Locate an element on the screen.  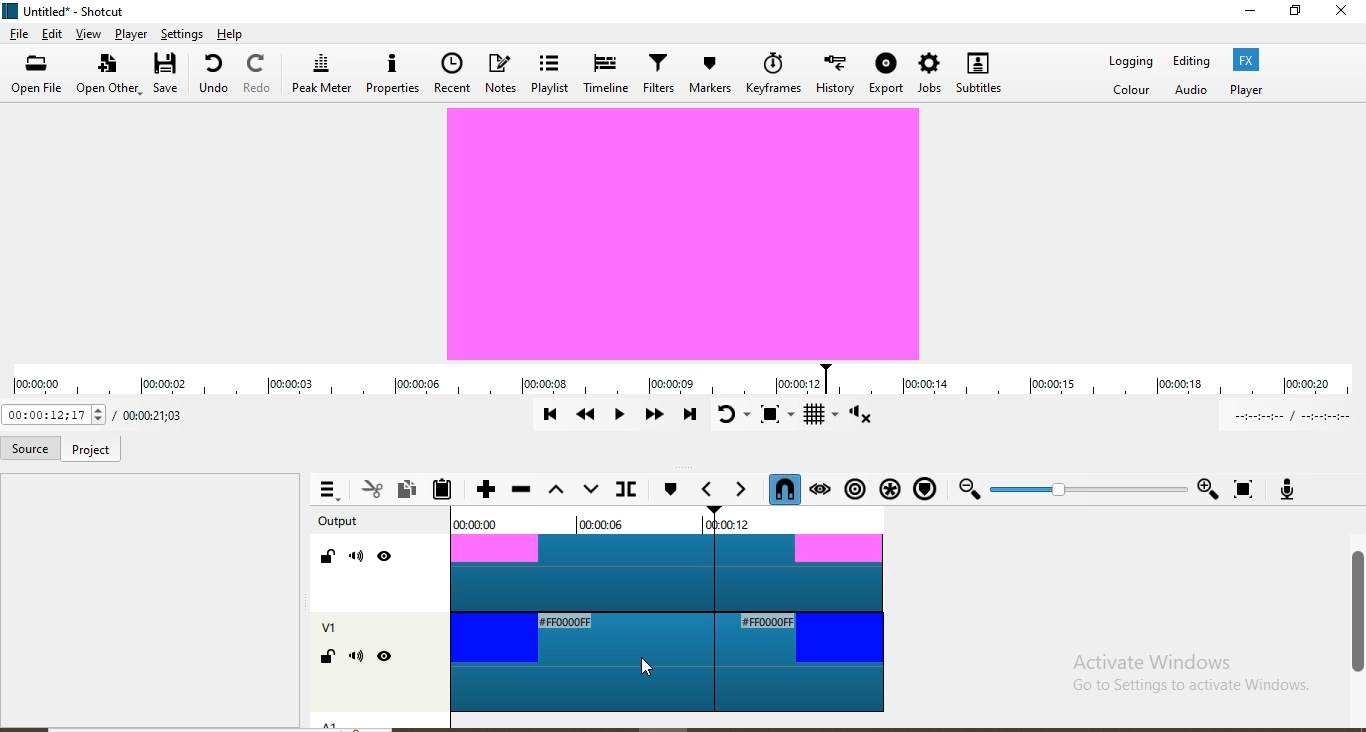
open file is located at coordinates (37, 77).